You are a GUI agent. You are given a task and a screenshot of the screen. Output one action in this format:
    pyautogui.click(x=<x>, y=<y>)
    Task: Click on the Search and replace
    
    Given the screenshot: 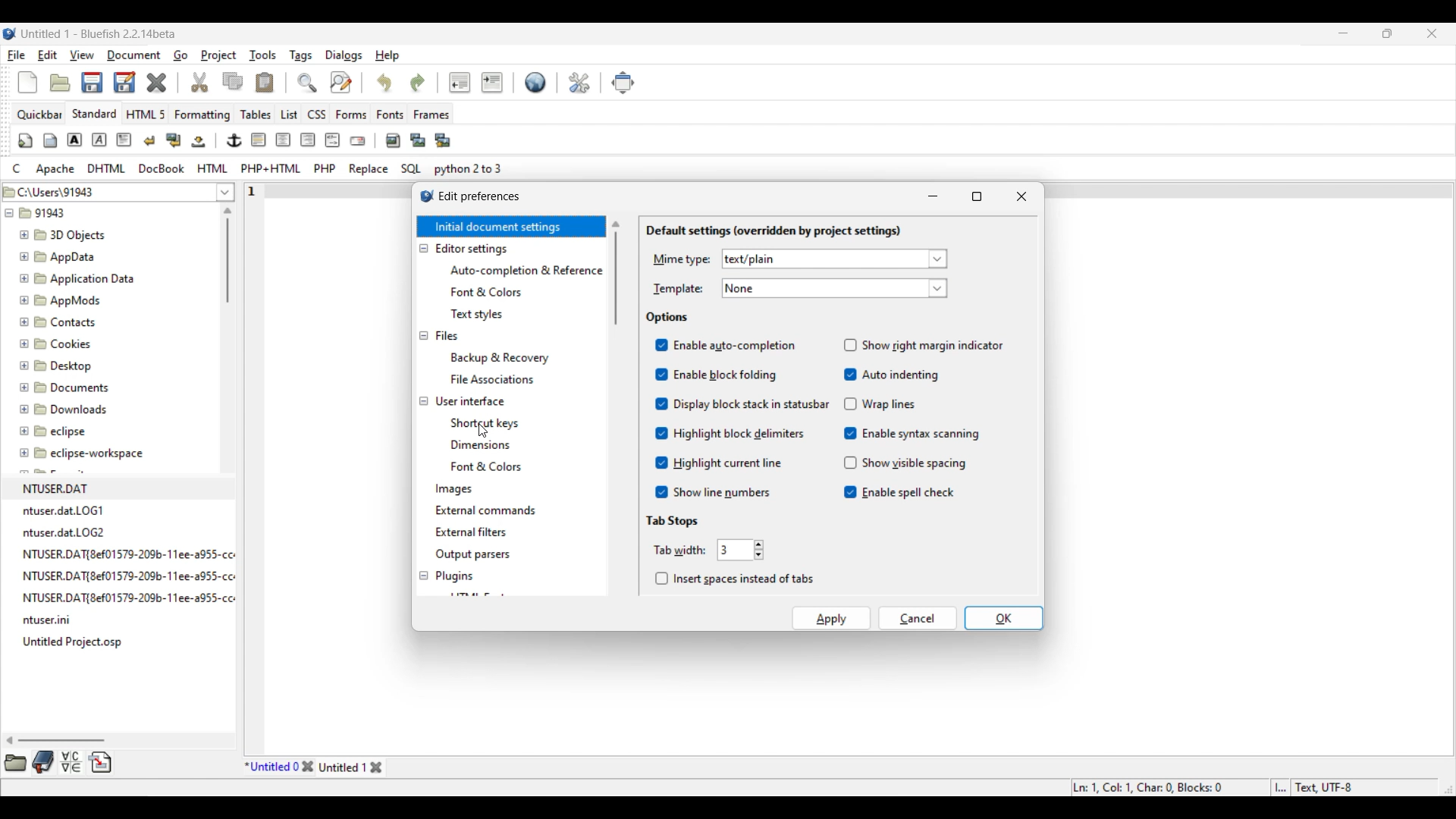 What is the action you would take?
    pyautogui.click(x=324, y=82)
    